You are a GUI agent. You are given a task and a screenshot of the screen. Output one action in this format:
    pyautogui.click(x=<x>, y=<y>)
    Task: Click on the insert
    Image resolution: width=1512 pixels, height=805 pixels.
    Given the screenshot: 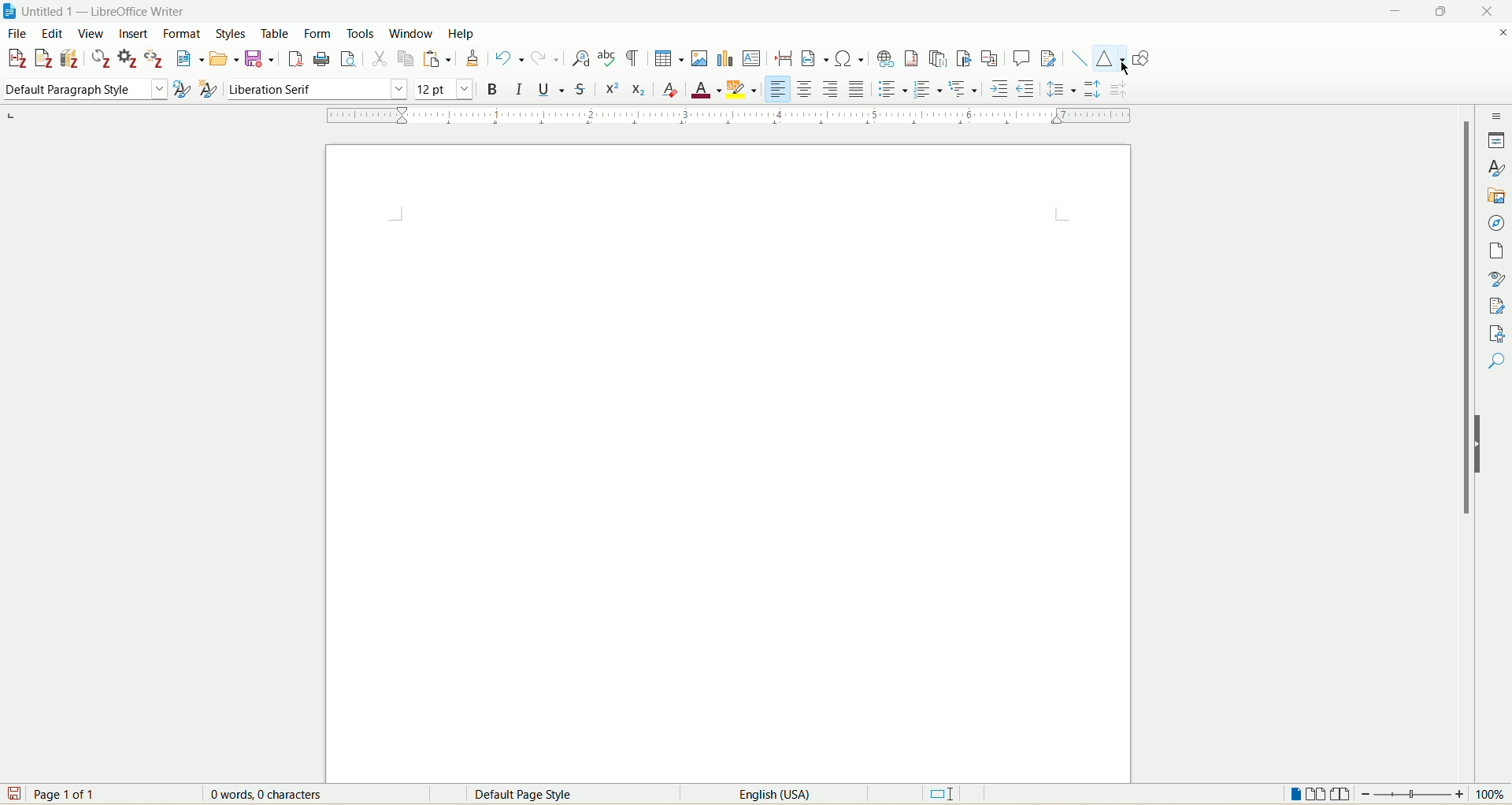 What is the action you would take?
    pyautogui.click(x=134, y=34)
    